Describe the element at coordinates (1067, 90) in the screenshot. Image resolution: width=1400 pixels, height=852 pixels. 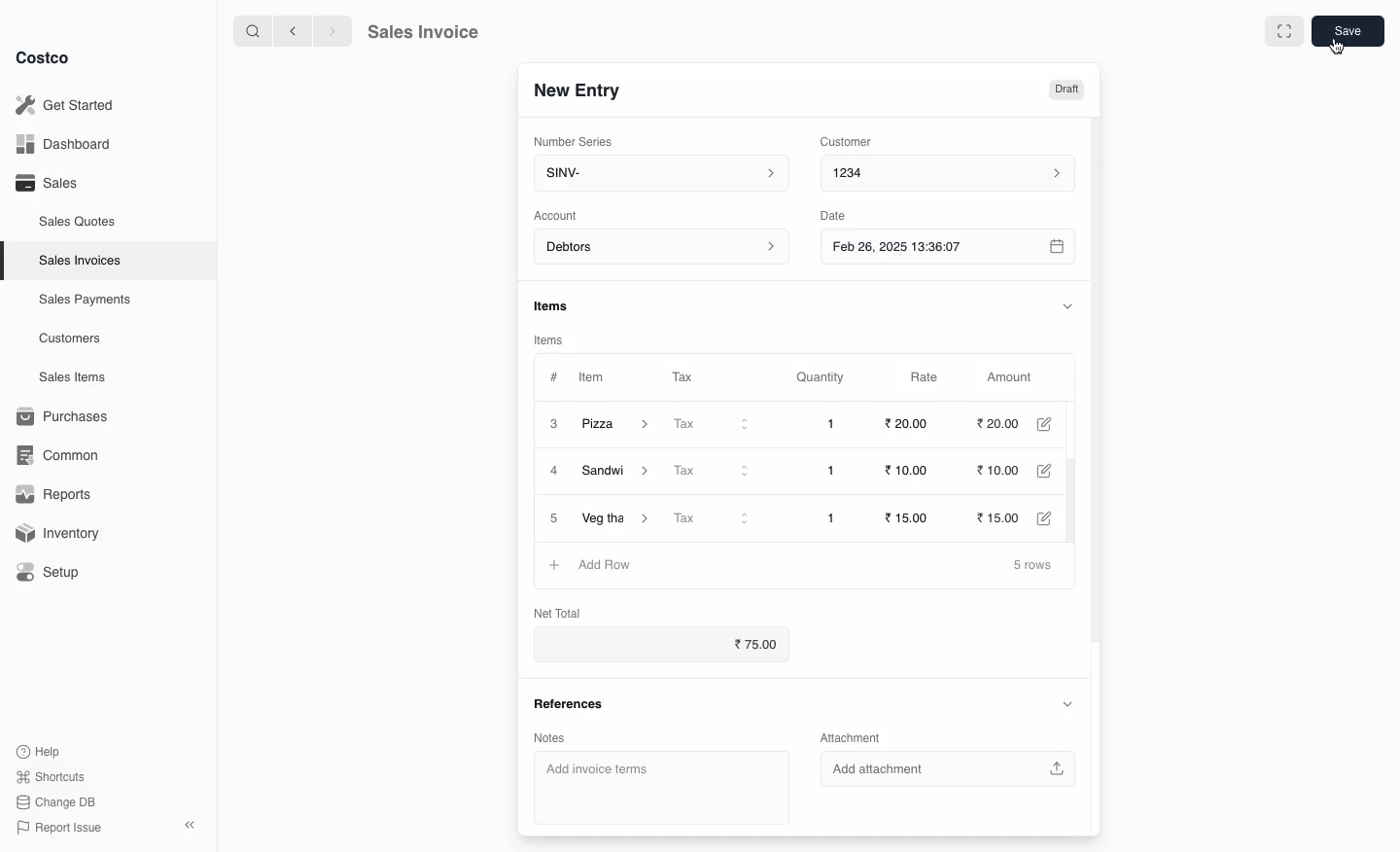
I see `Draft` at that location.